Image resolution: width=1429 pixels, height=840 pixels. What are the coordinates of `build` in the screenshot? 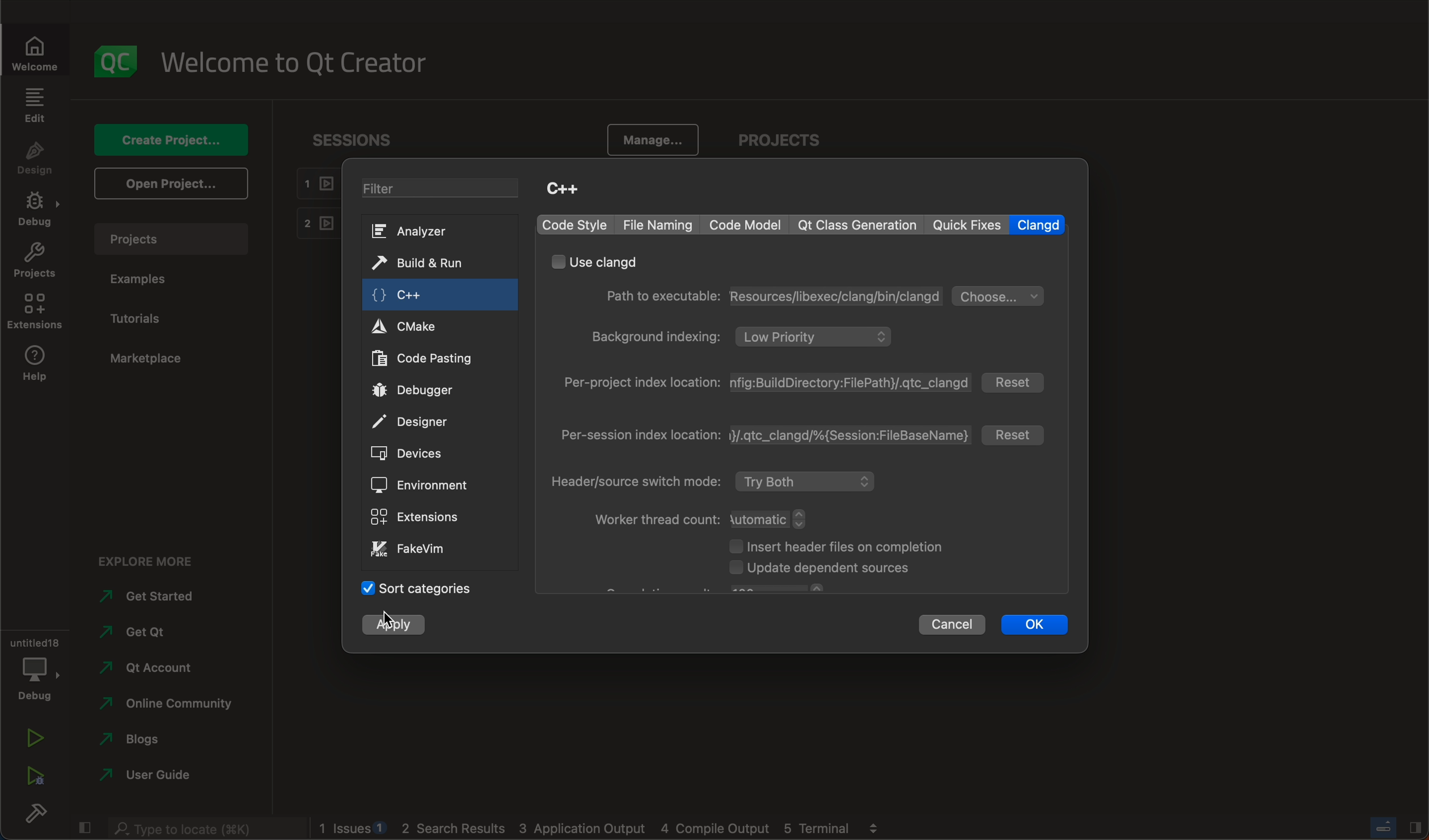 It's located at (34, 812).